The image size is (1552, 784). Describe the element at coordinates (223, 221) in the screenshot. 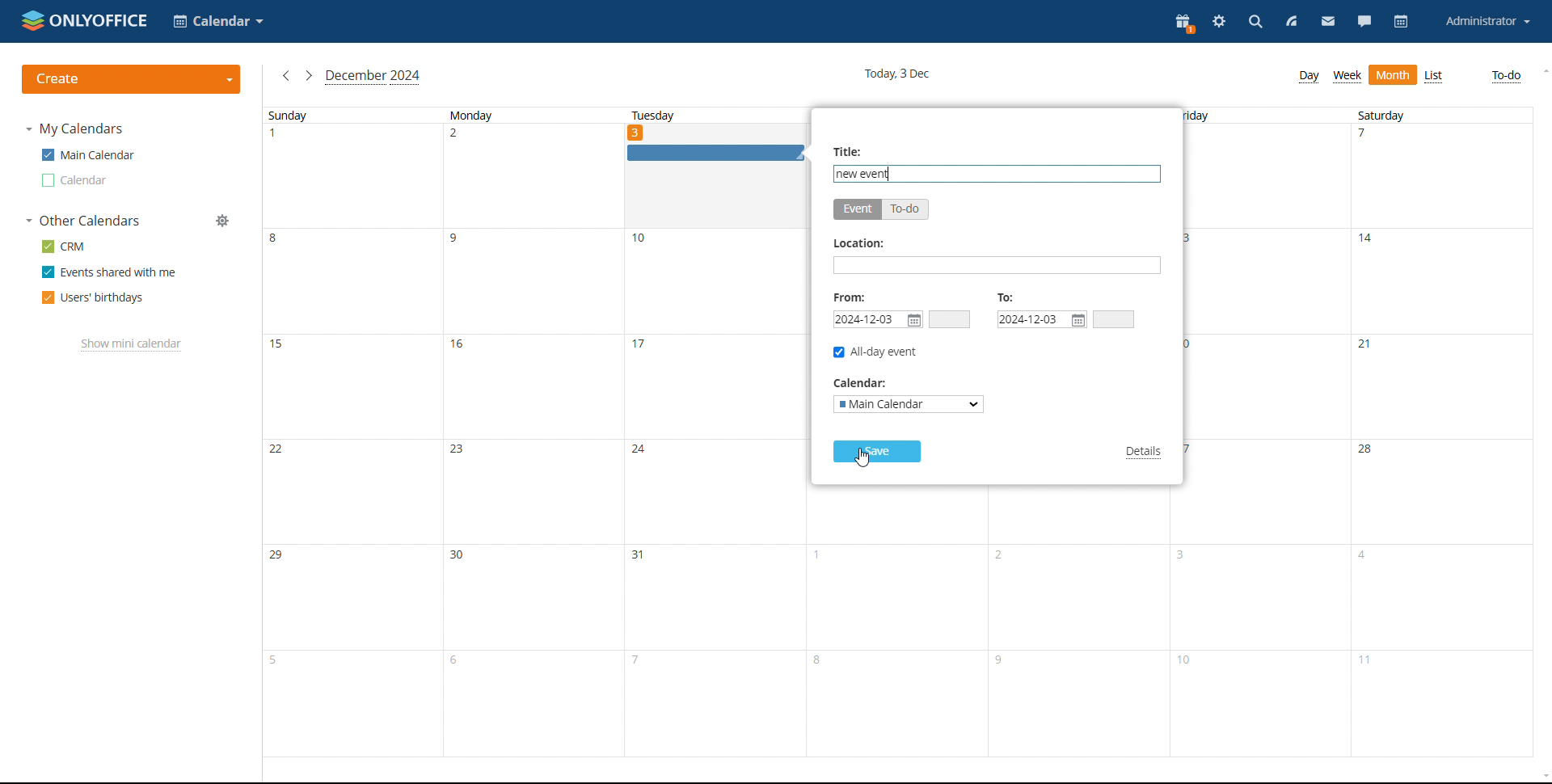

I see `manage` at that location.